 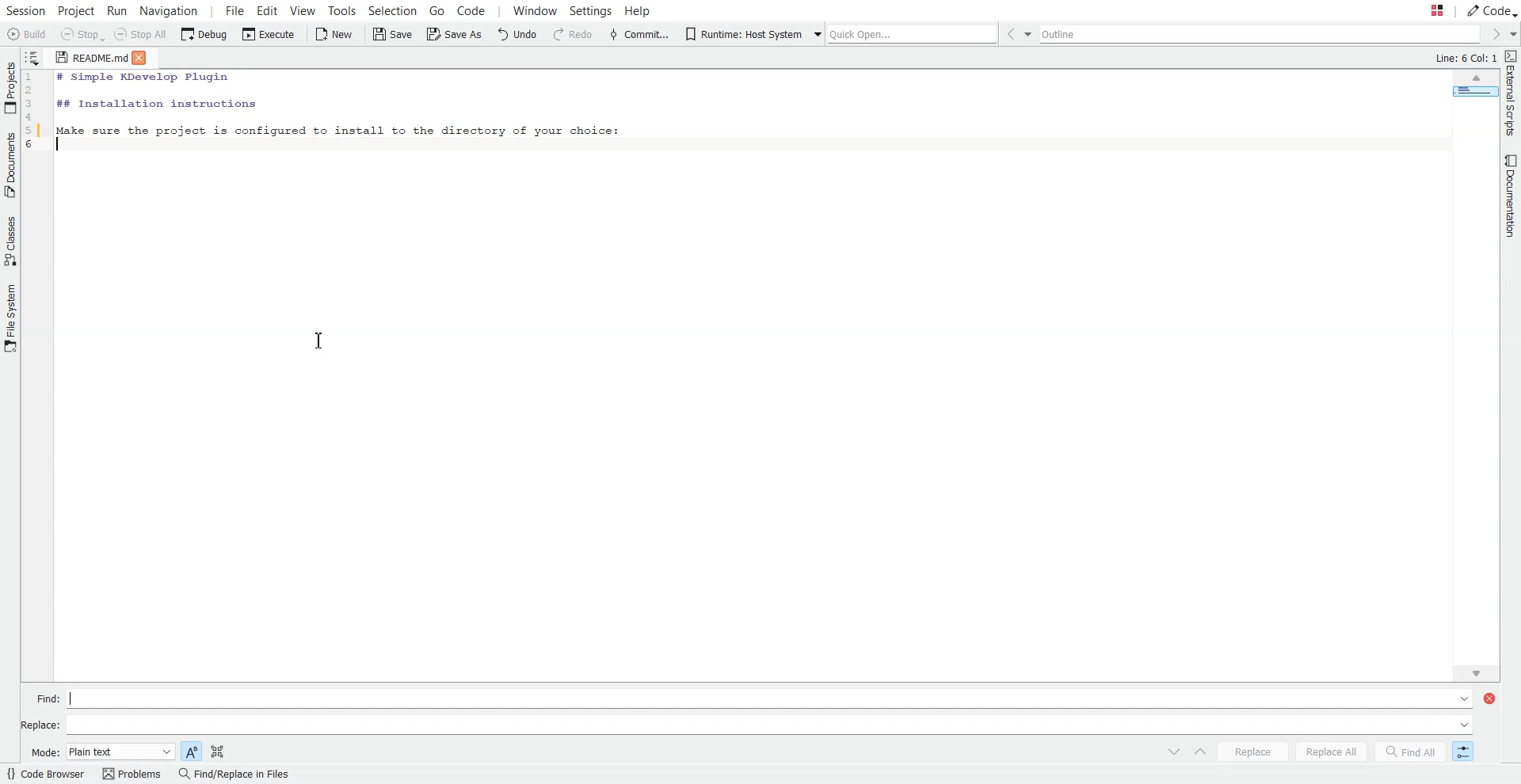 What do you see at coordinates (748, 725) in the screenshot?
I see `Replace` at bounding box center [748, 725].